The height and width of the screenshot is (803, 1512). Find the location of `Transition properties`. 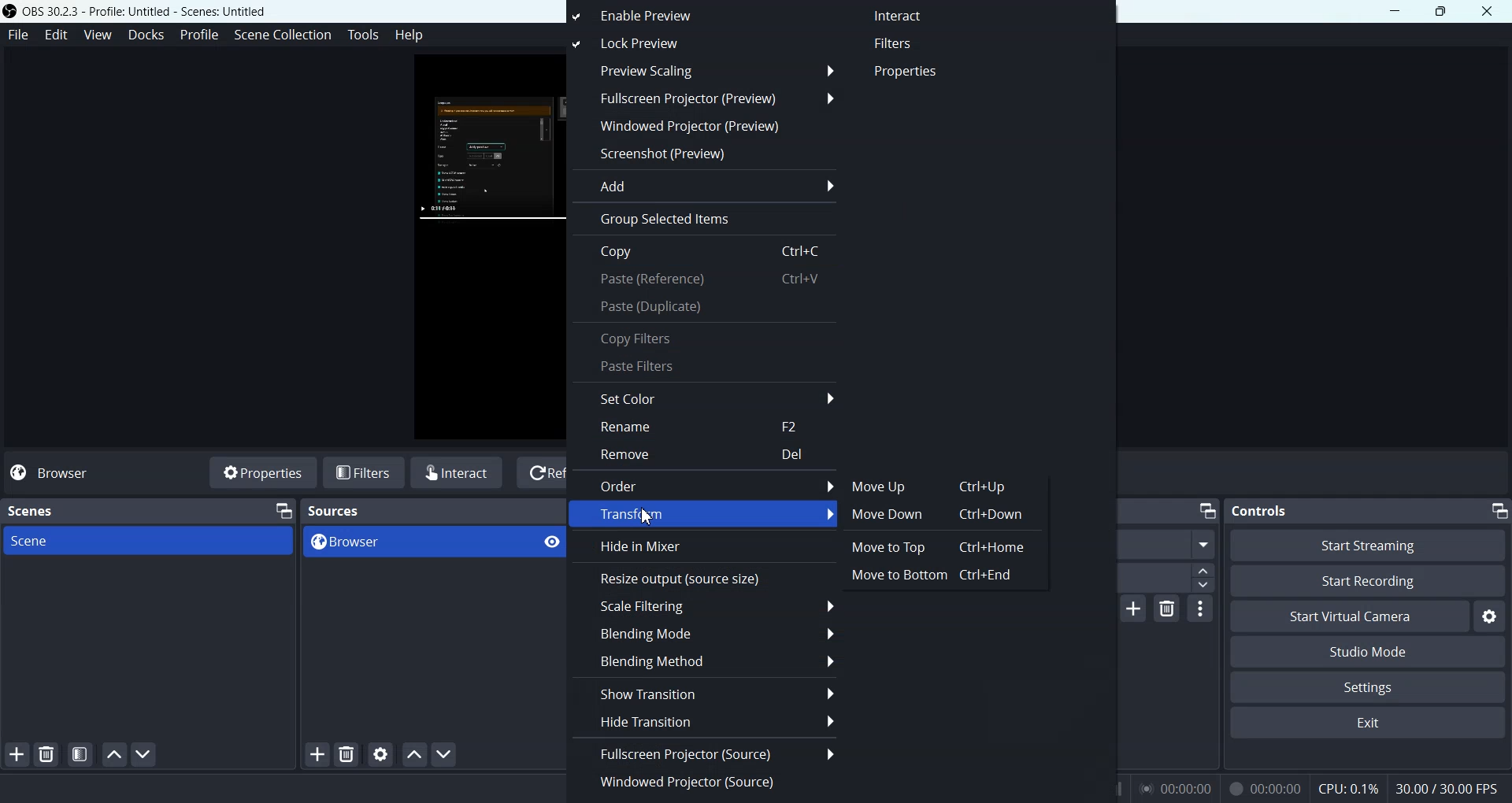

Transition properties is located at coordinates (1201, 611).